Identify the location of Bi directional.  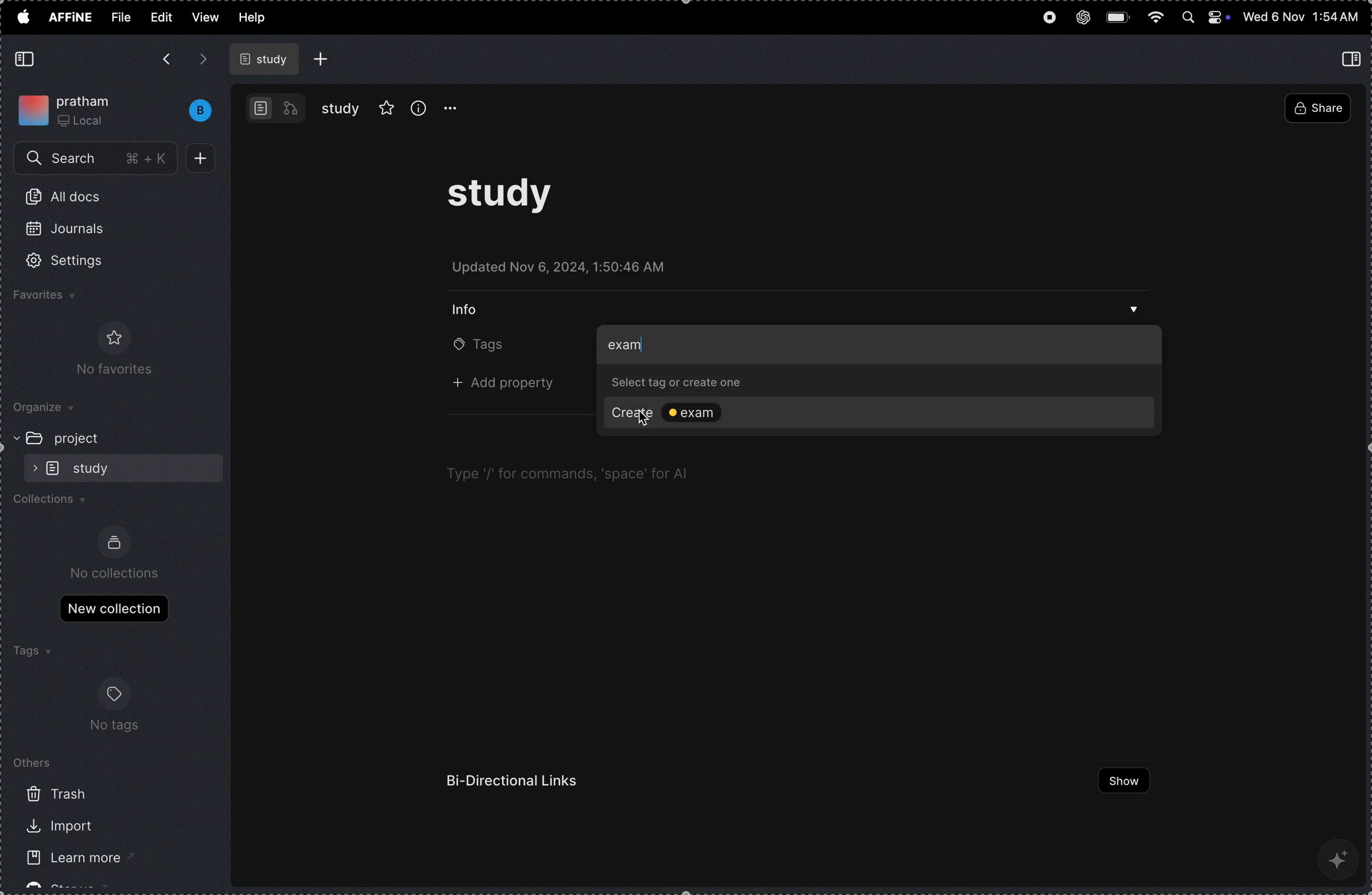
(515, 781).